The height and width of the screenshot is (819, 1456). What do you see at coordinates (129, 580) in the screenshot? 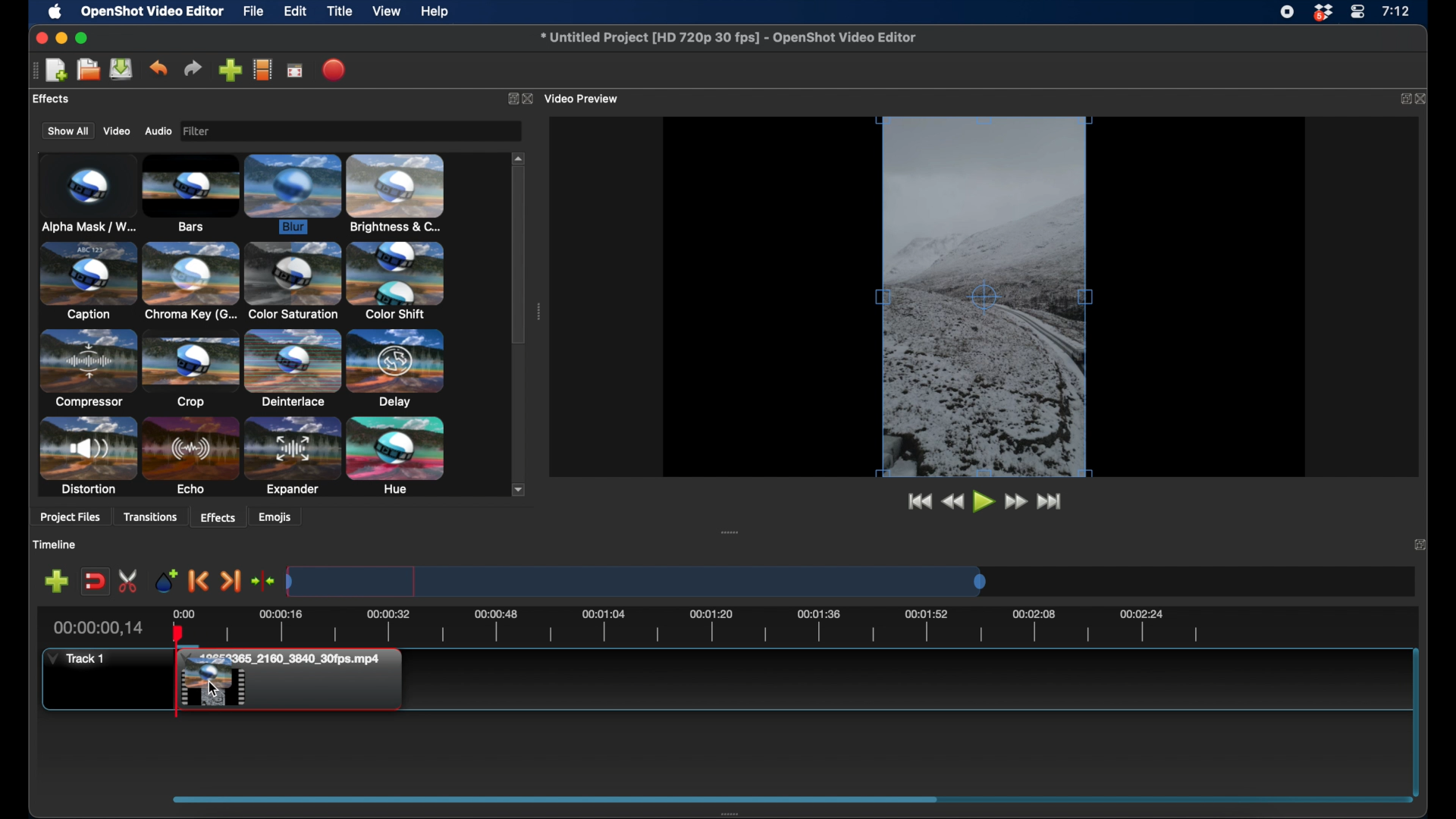
I see `enable razor` at bounding box center [129, 580].